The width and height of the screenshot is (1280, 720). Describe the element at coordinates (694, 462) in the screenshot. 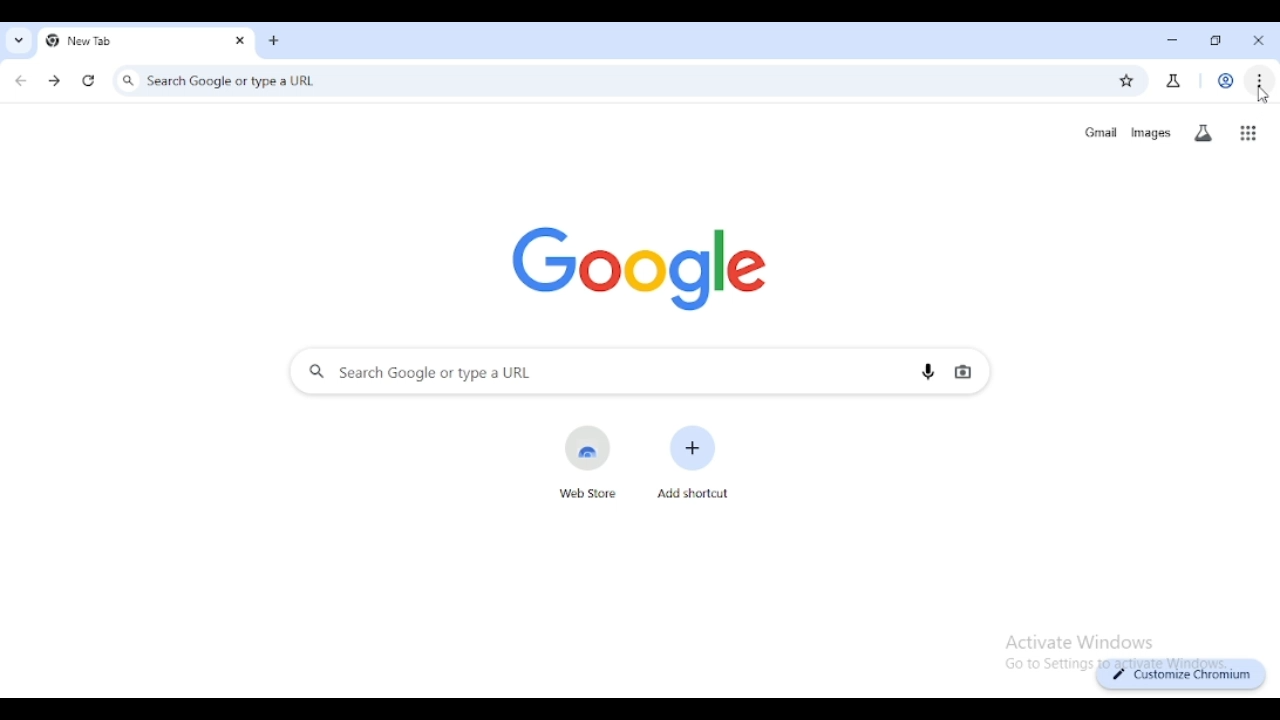

I see `add shortcut` at that location.